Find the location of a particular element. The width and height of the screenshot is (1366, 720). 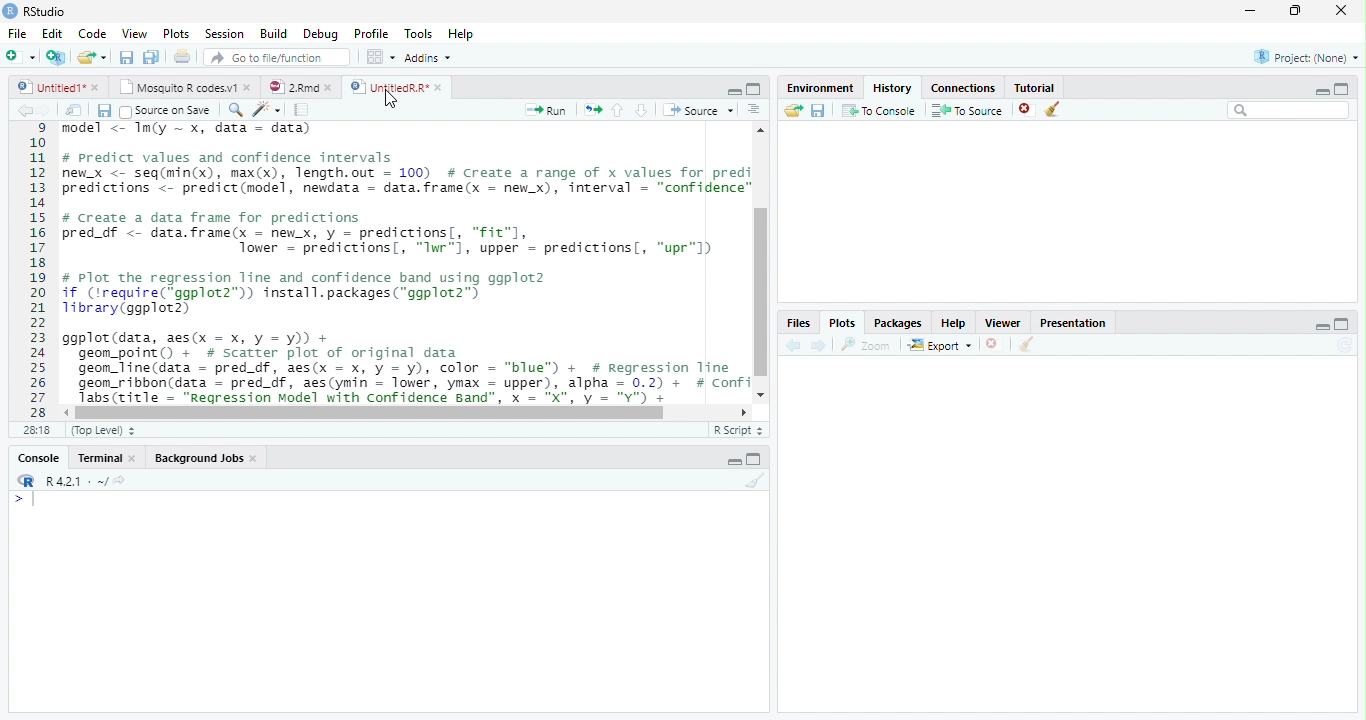

Clear Console is located at coordinates (1053, 109).